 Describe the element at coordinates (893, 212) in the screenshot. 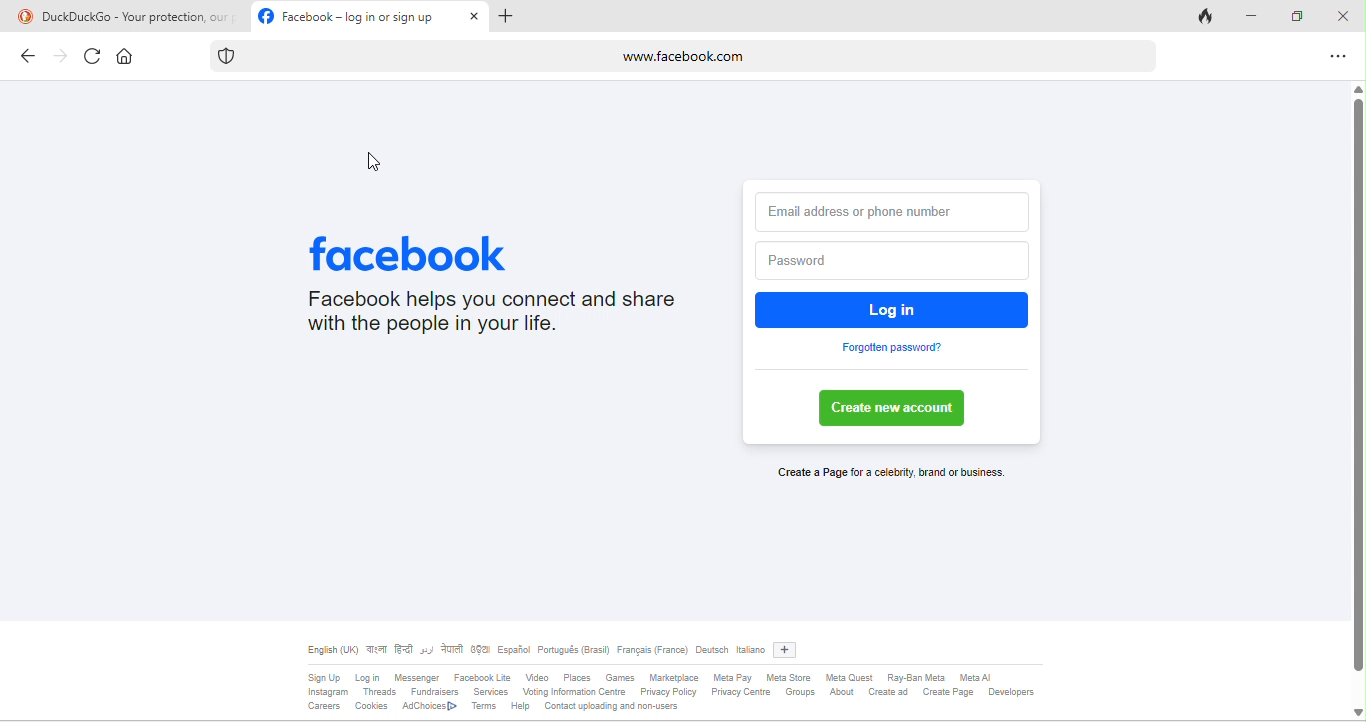

I see `email address or phone number` at that location.